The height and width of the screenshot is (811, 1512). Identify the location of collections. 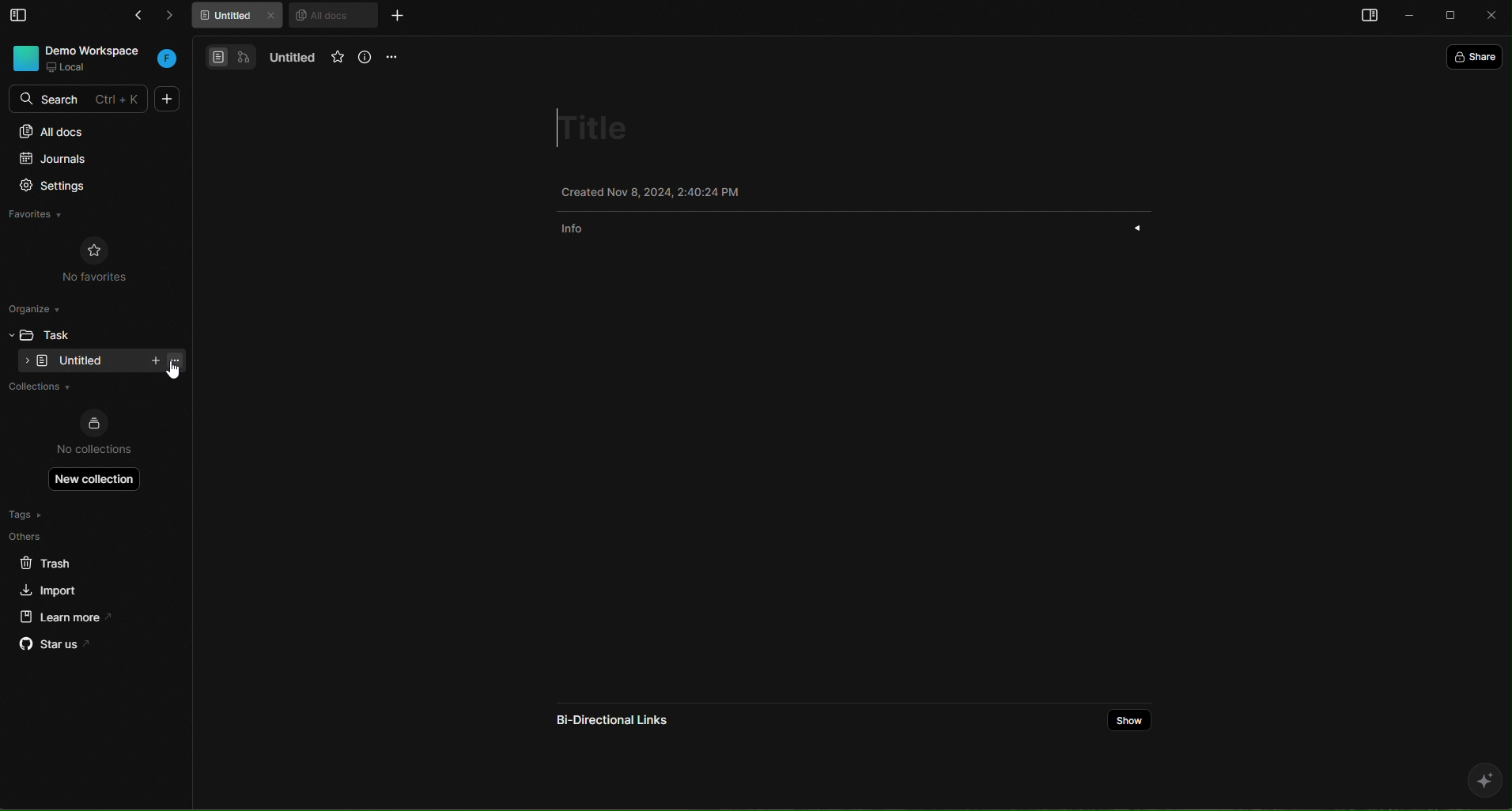
(89, 388).